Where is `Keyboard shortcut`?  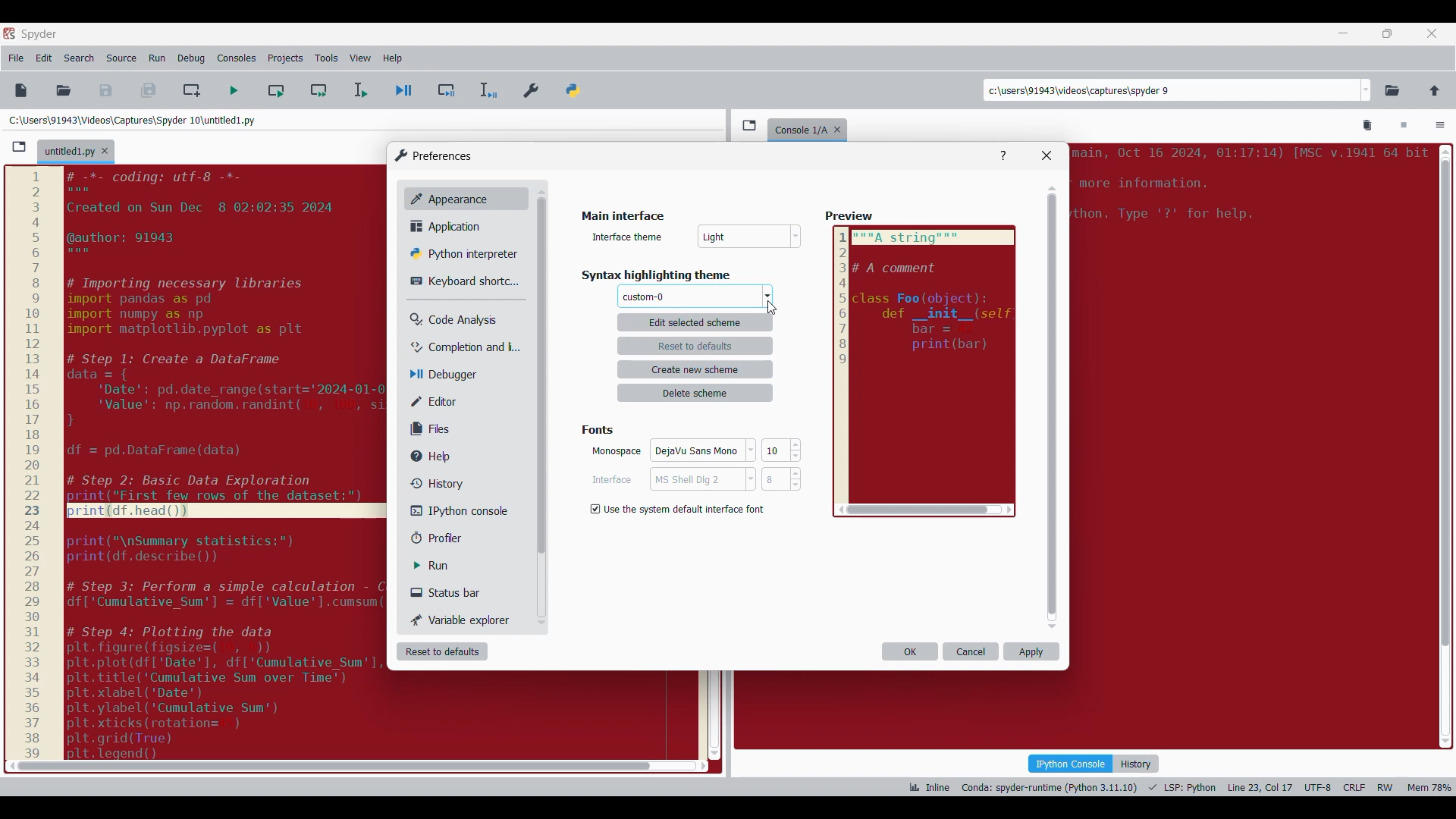
Keyboard shortcut is located at coordinates (459, 281).